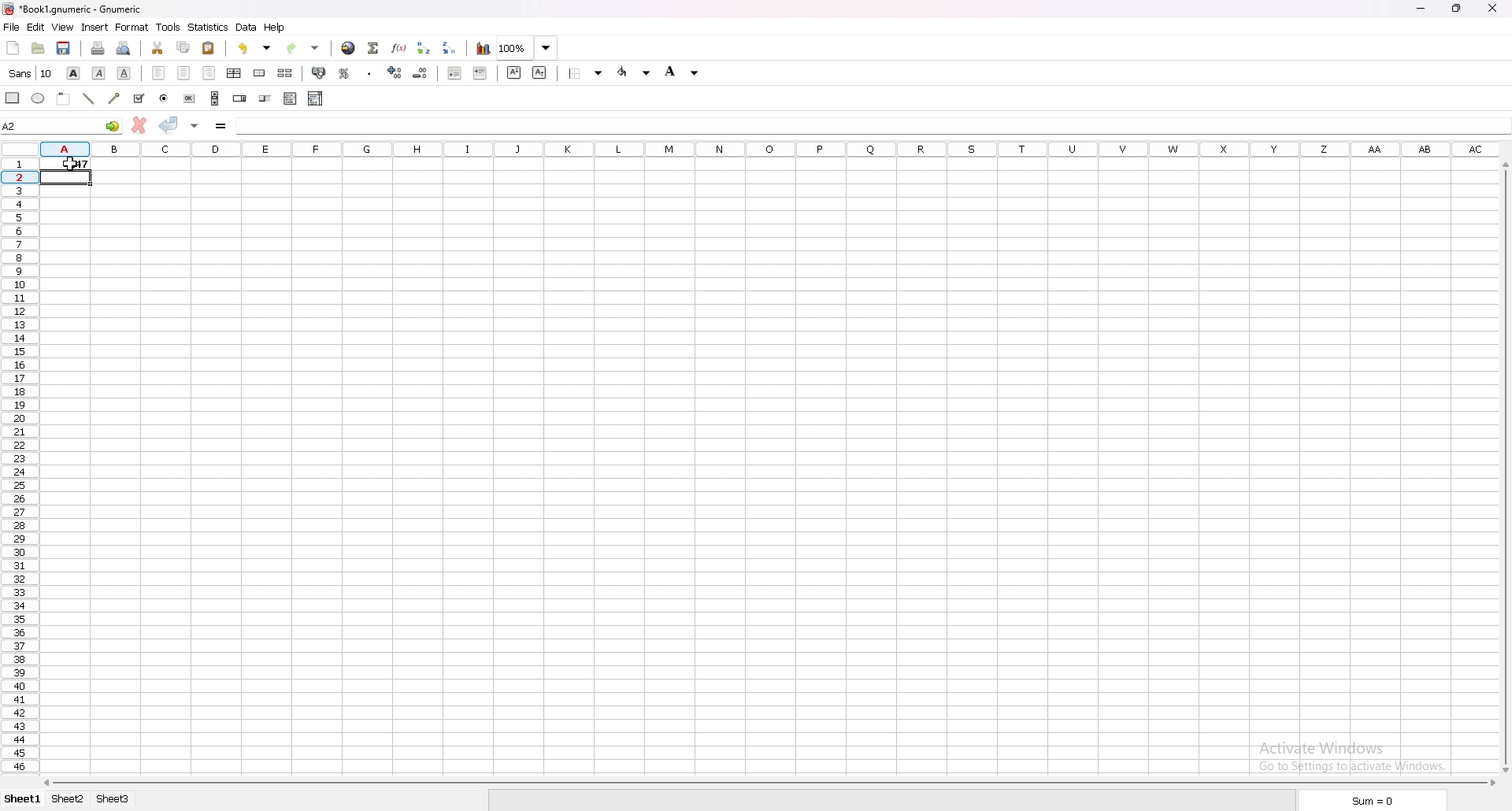  Describe the element at coordinates (183, 47) in the screenshot. I see `copy` at that location.